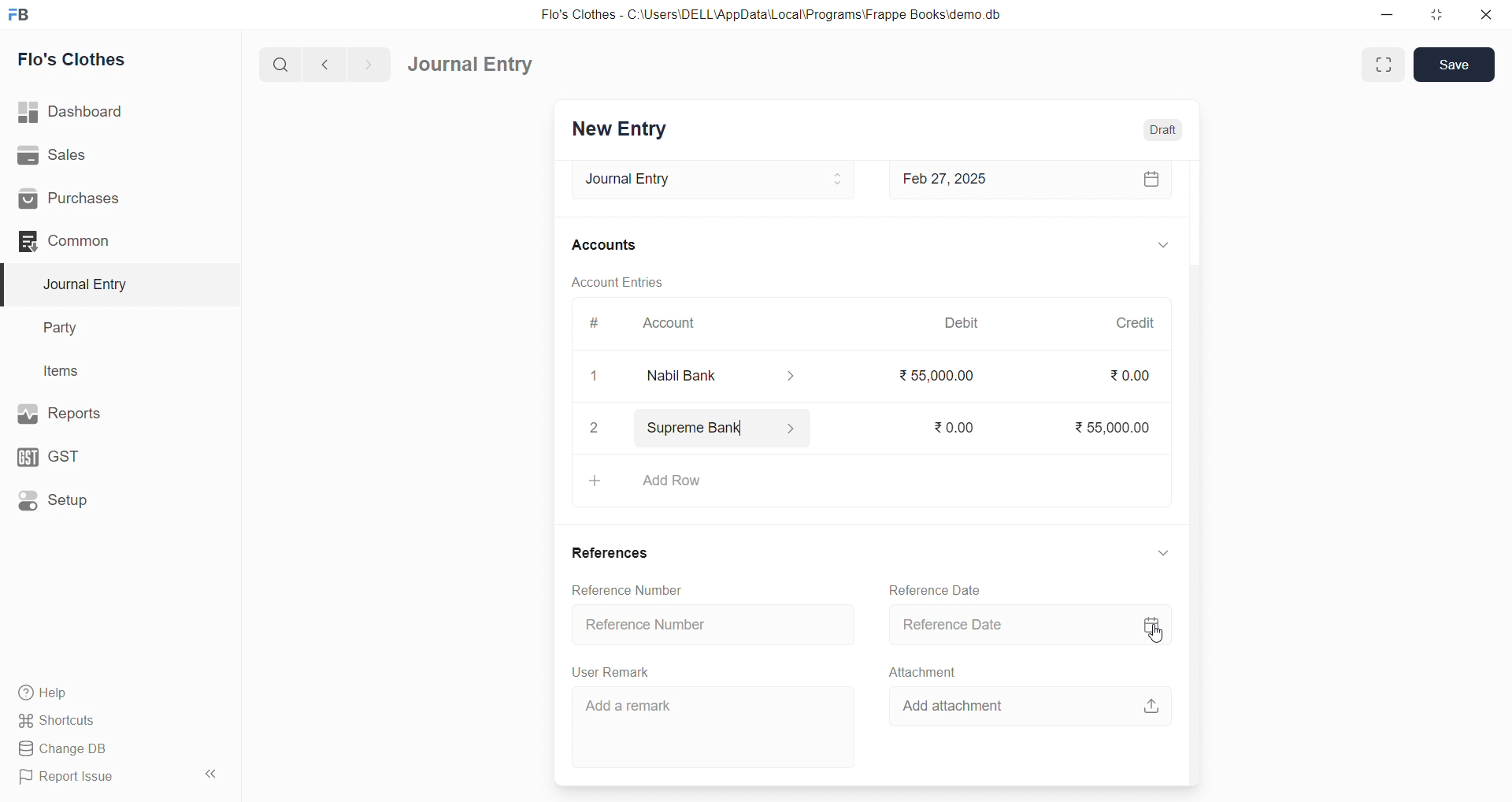 The image size is (1512, 802). What do you see at coordinates (708, 180) in the screenshot?
I see `Journal Entry` at bounding box center [708, 180].